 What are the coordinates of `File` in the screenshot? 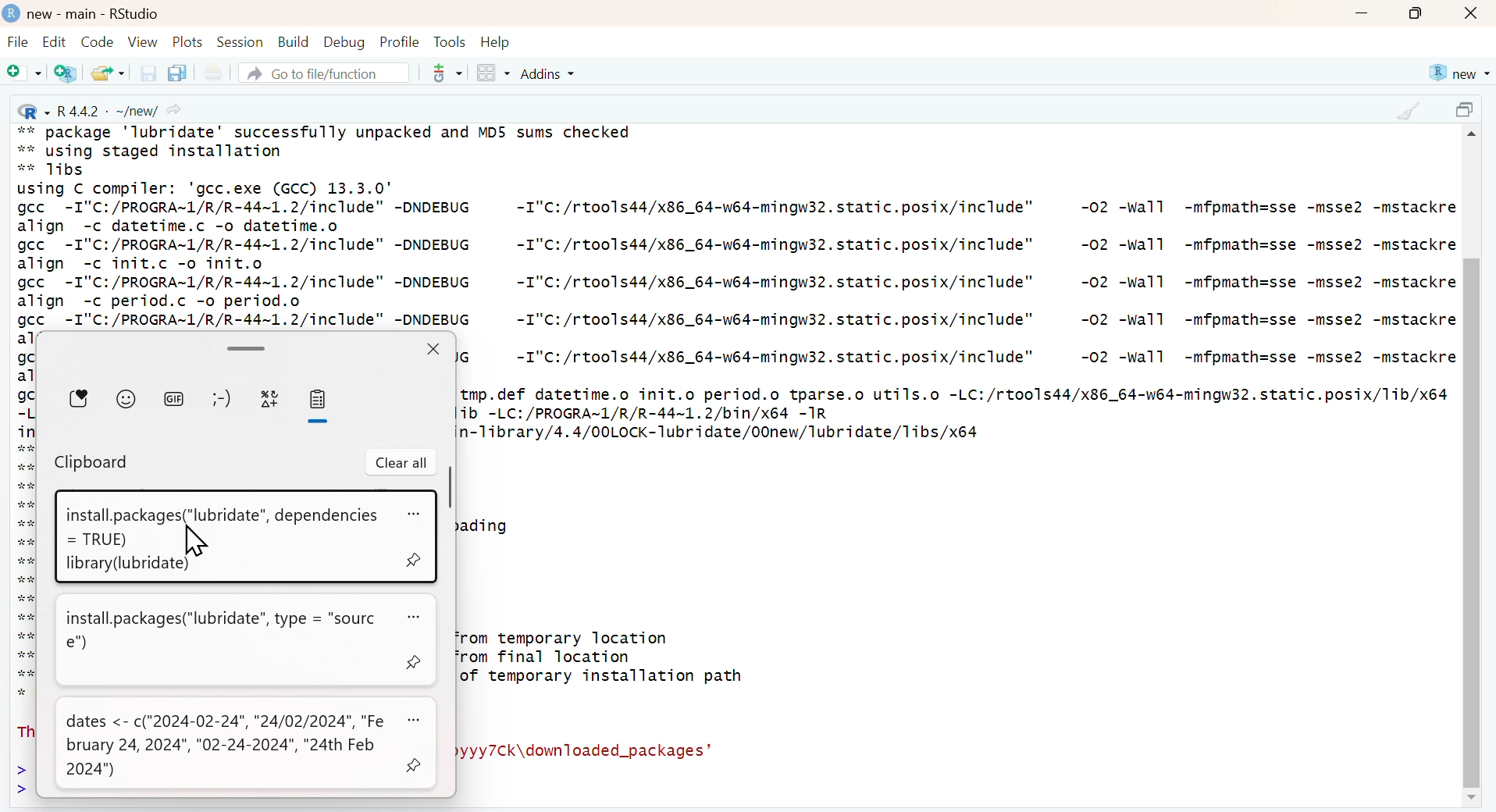 It's located at (18, 44).